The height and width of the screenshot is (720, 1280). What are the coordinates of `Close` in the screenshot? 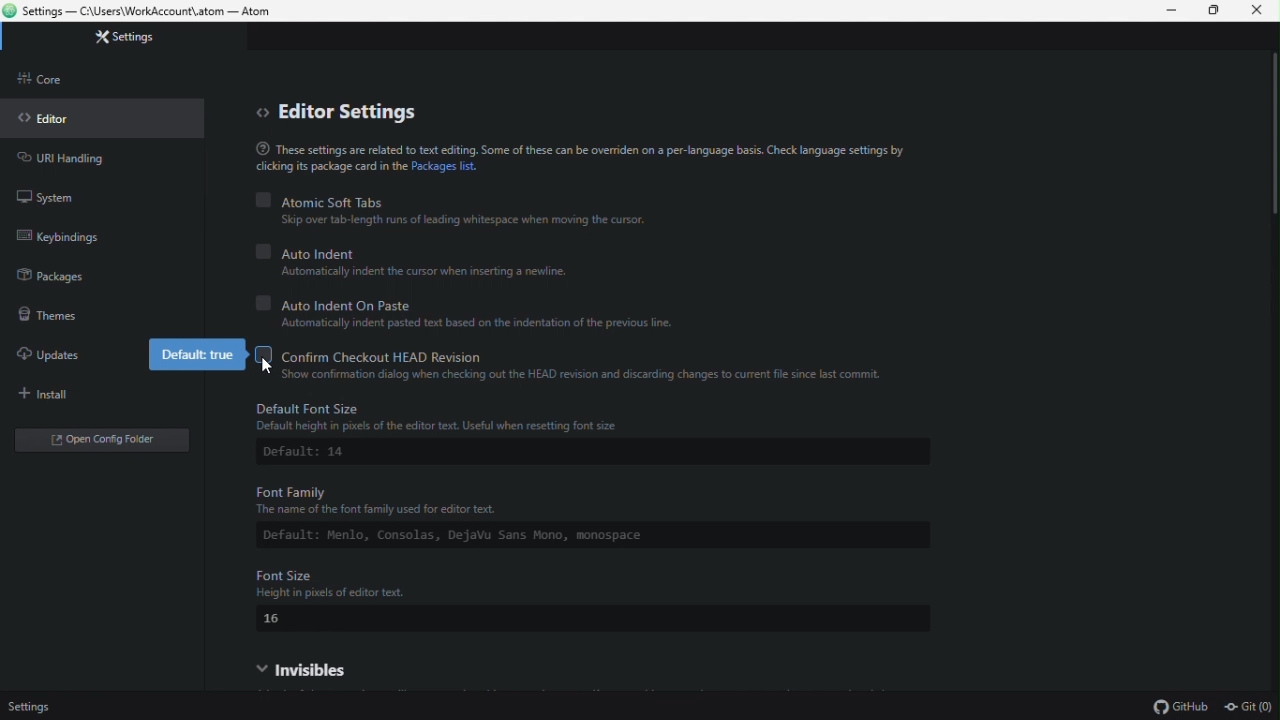 It's located at (1258, 15).